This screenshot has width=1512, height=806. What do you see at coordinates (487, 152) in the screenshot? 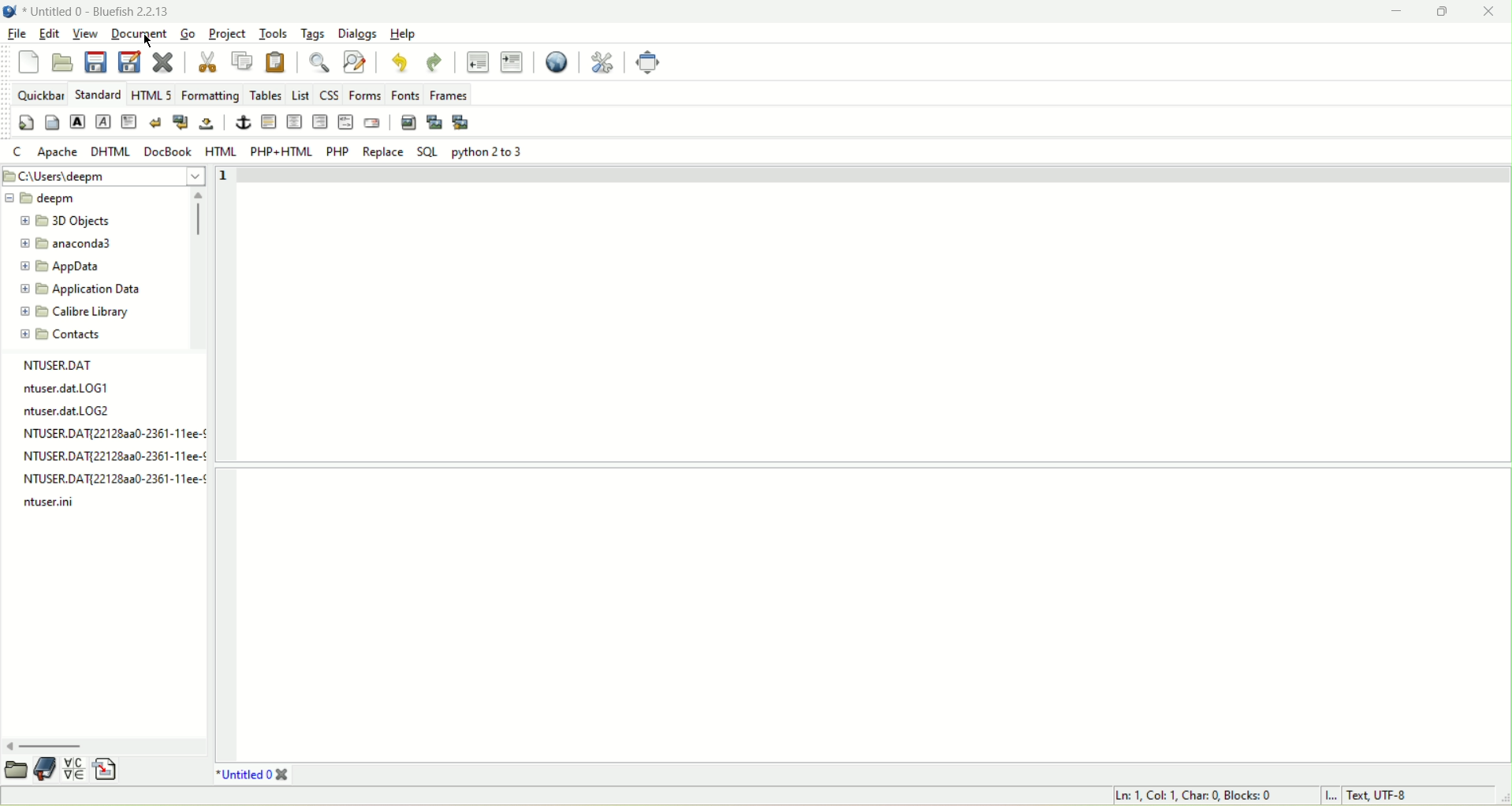
I see `python 2 to 3` at bounding box center [487, 152].